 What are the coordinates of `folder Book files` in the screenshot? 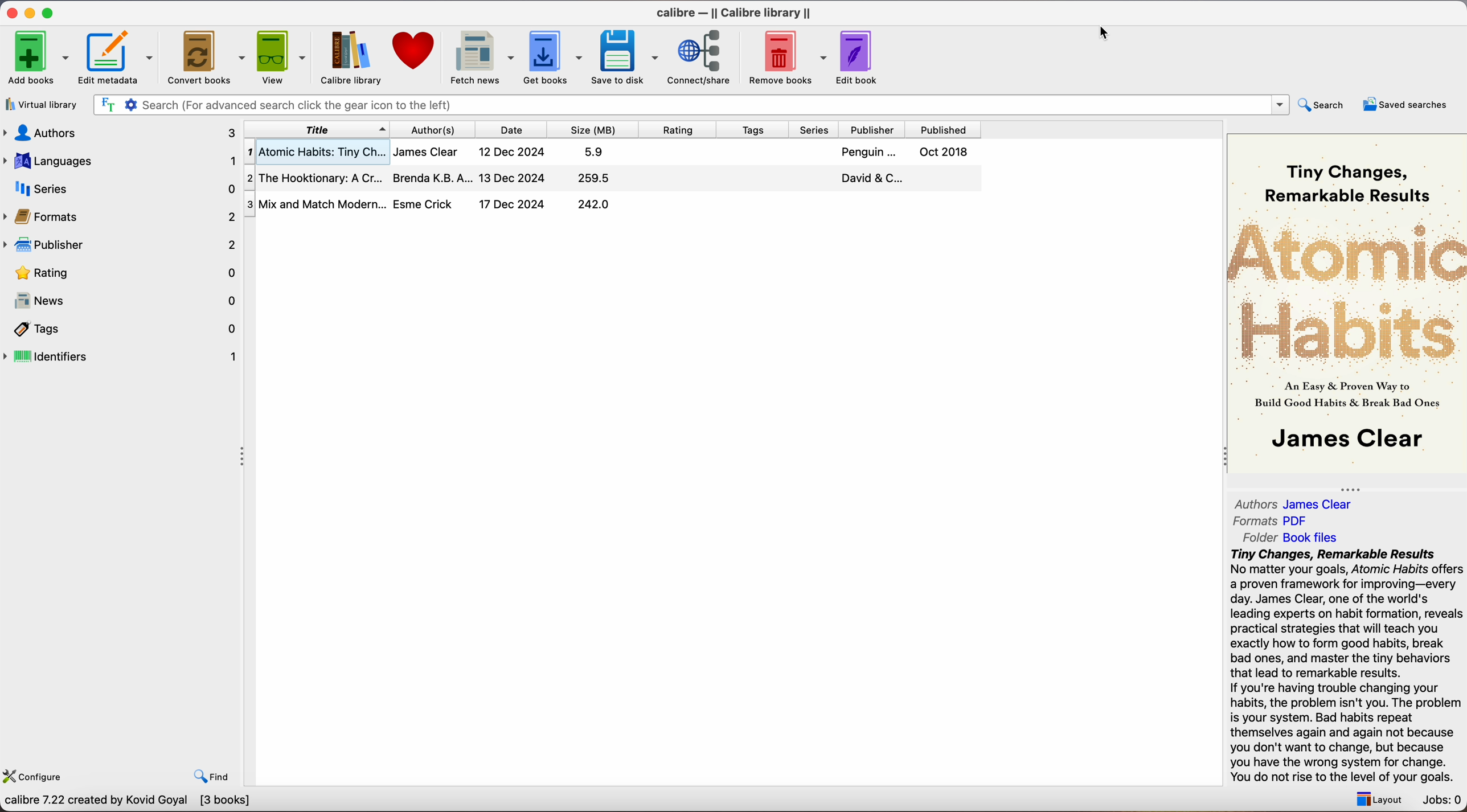 It's located at (1292, 537).